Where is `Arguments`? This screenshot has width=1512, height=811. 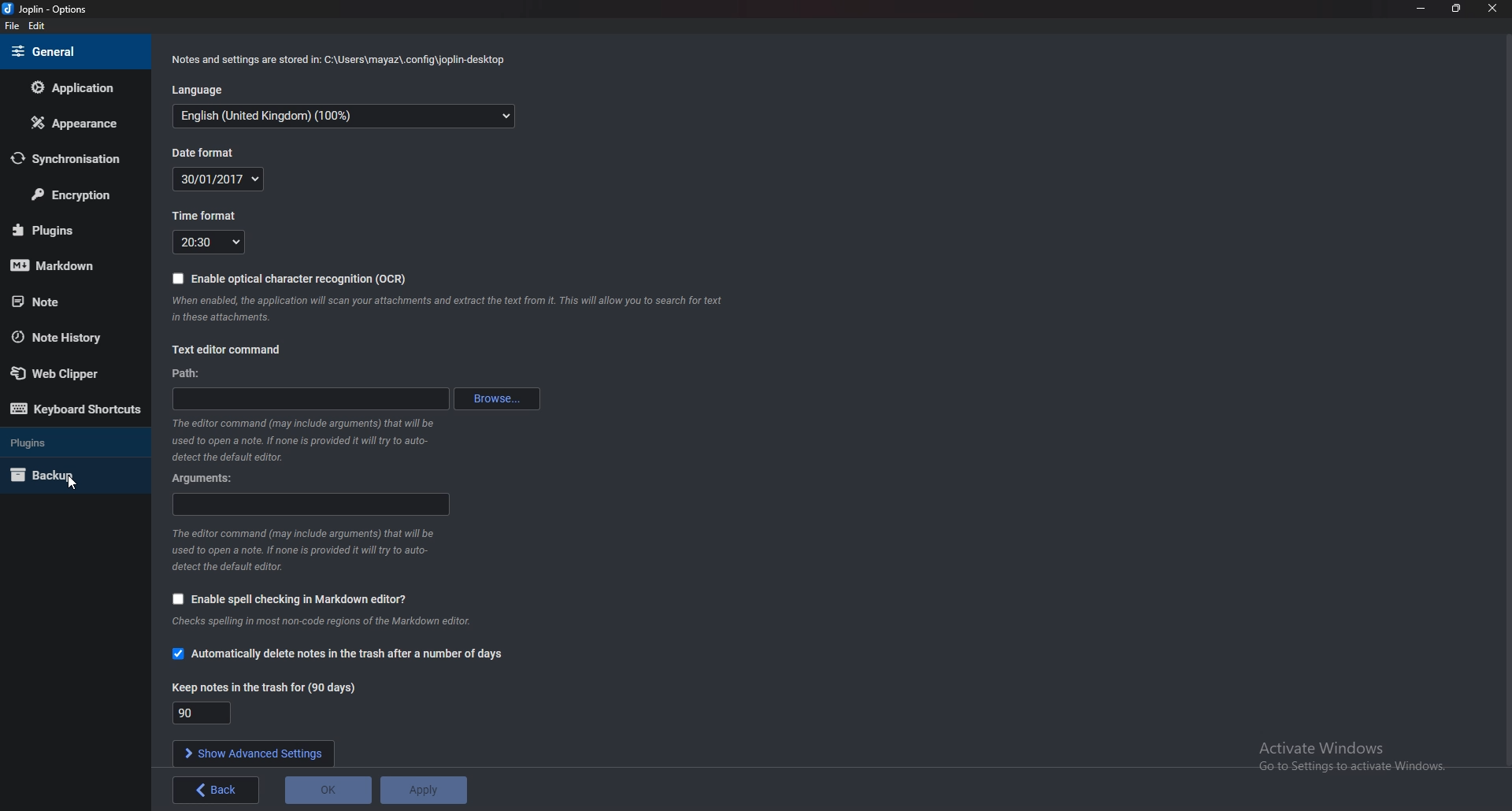
Arguments is located at coordinates (308, 505).